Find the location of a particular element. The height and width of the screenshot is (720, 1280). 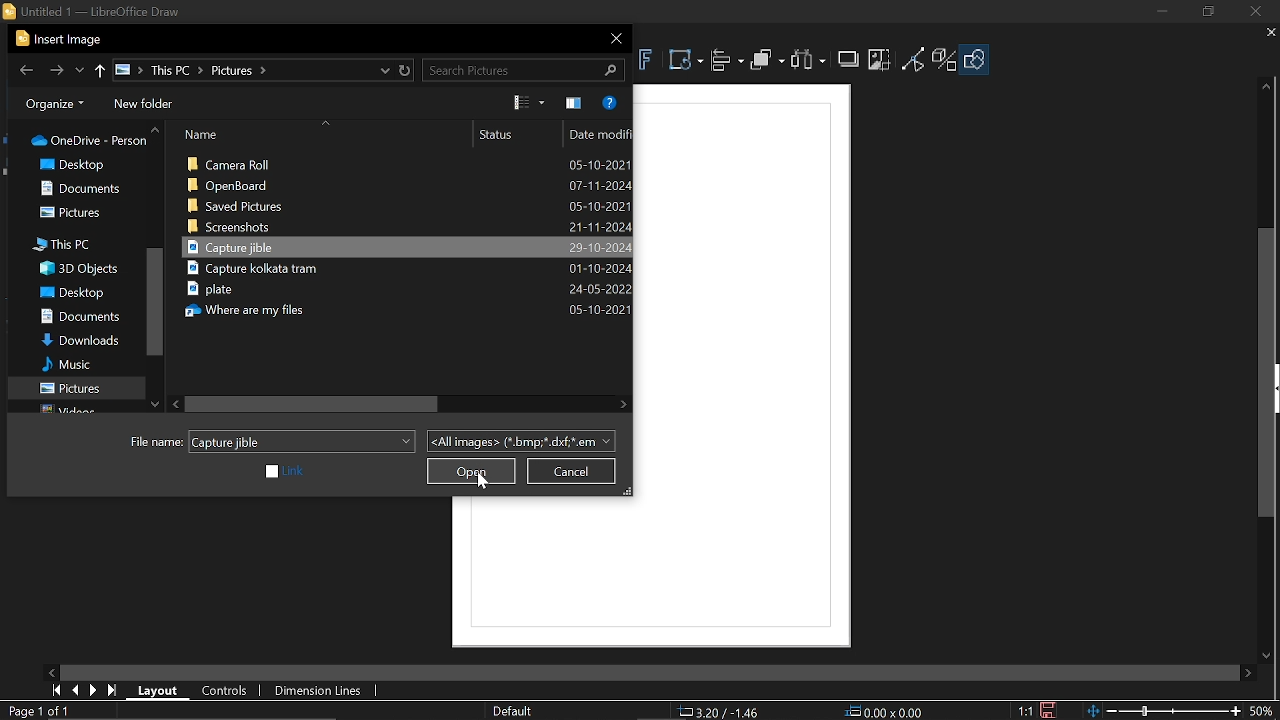

Pages is located at coordinates (36, 711).